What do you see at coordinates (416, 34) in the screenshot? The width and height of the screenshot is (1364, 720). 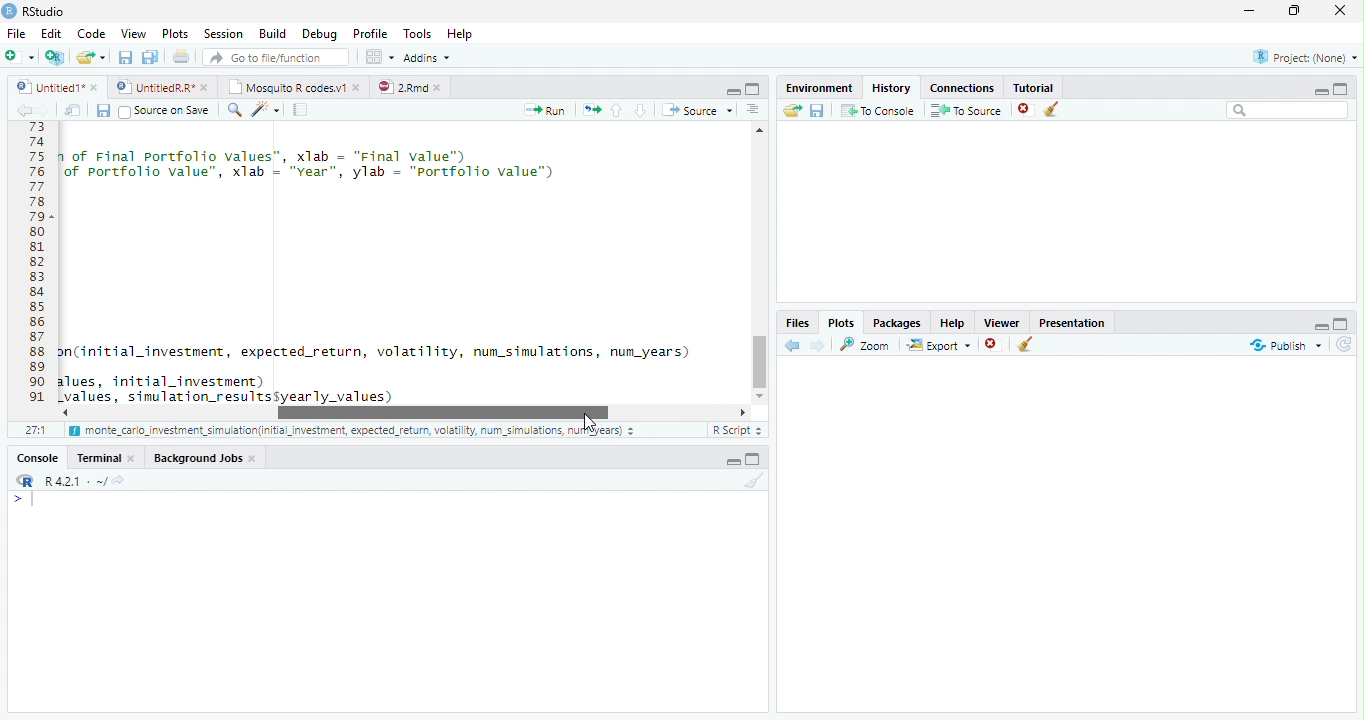 I see `Tools` at bounding box center [416, 34].